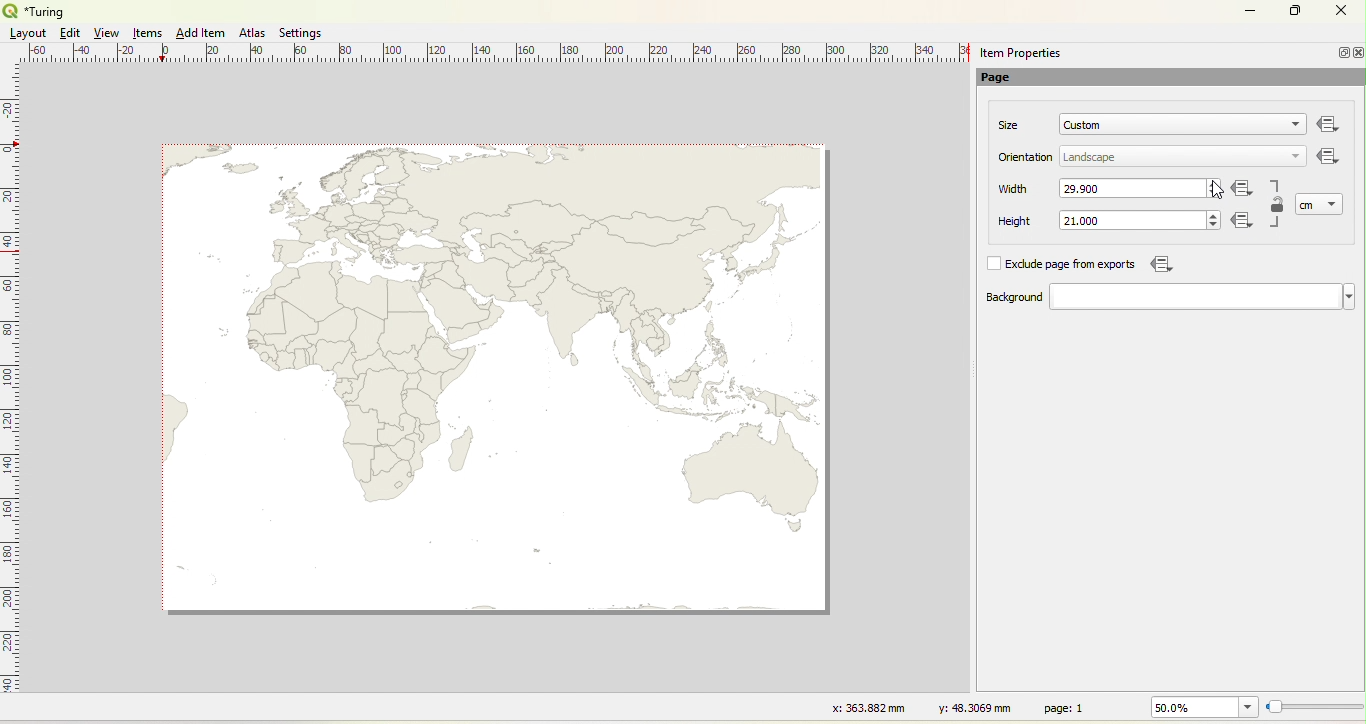  I want to click on Icon, so click(1159, 264).